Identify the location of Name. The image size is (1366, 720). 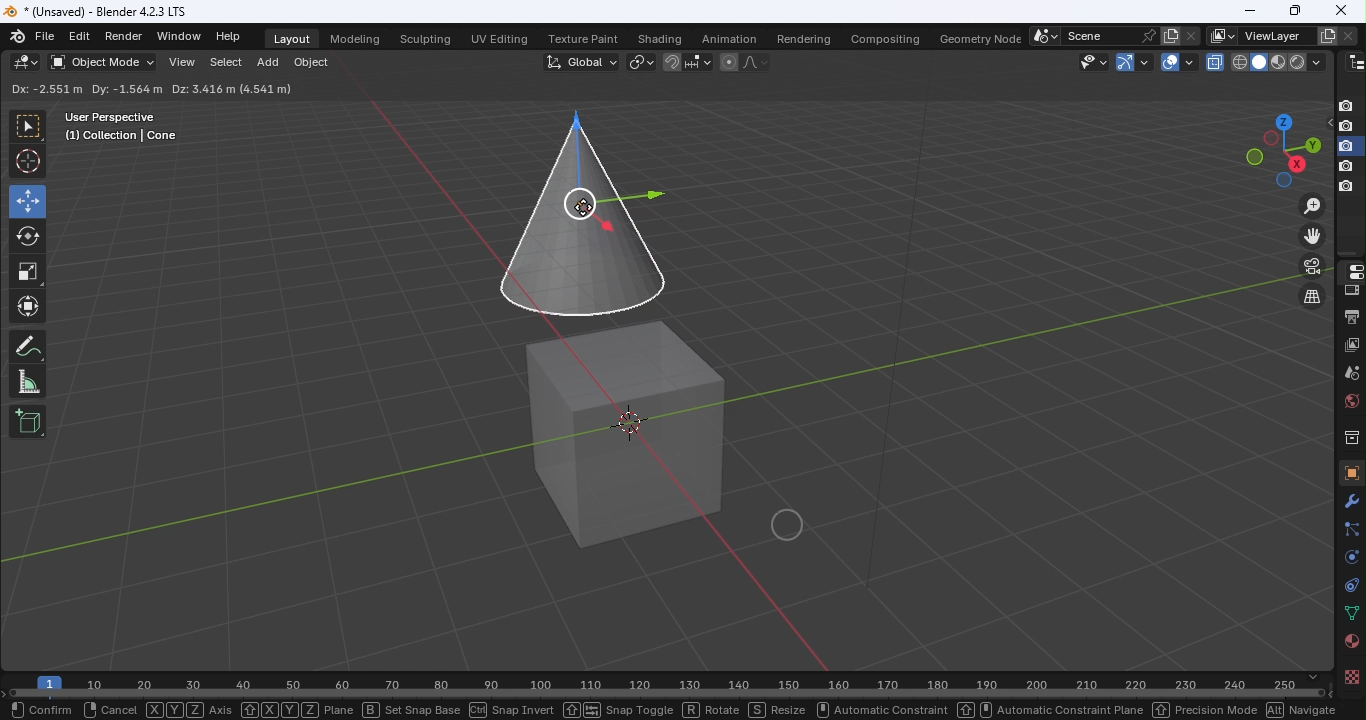
(1098, 35).